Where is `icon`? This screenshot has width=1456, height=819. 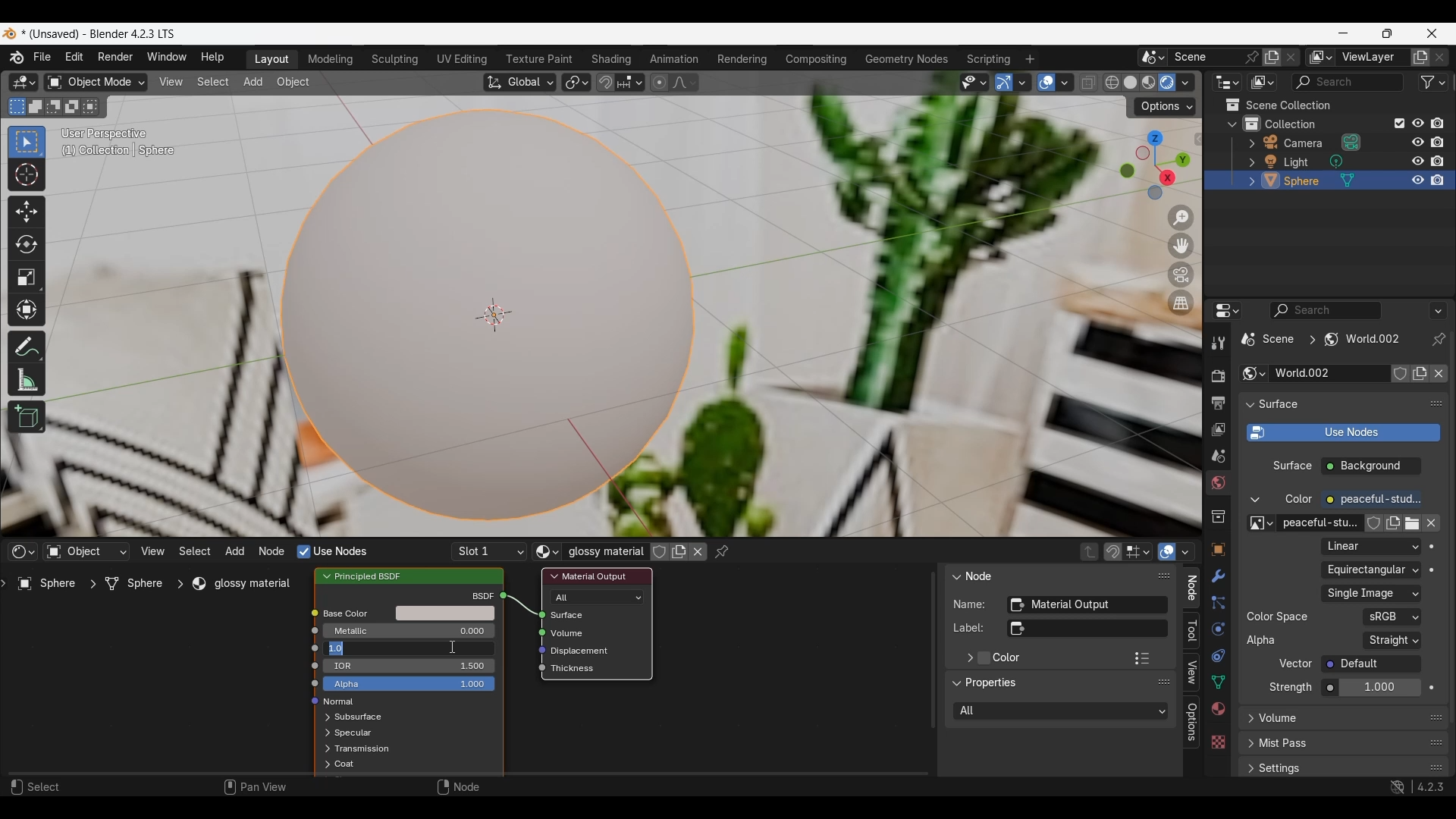 icon is located at coordinates (311, 647).